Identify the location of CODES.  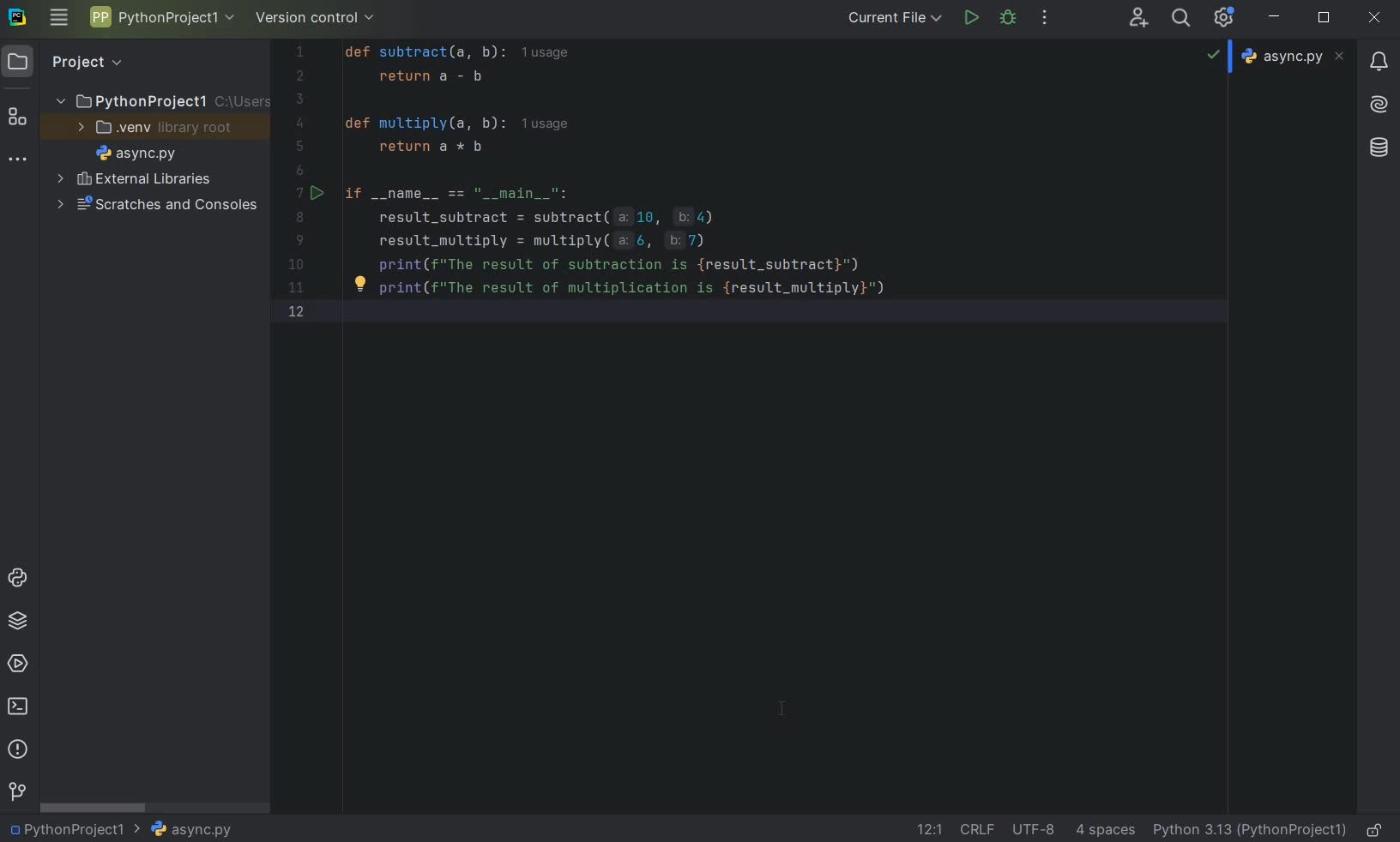
(655, 198).